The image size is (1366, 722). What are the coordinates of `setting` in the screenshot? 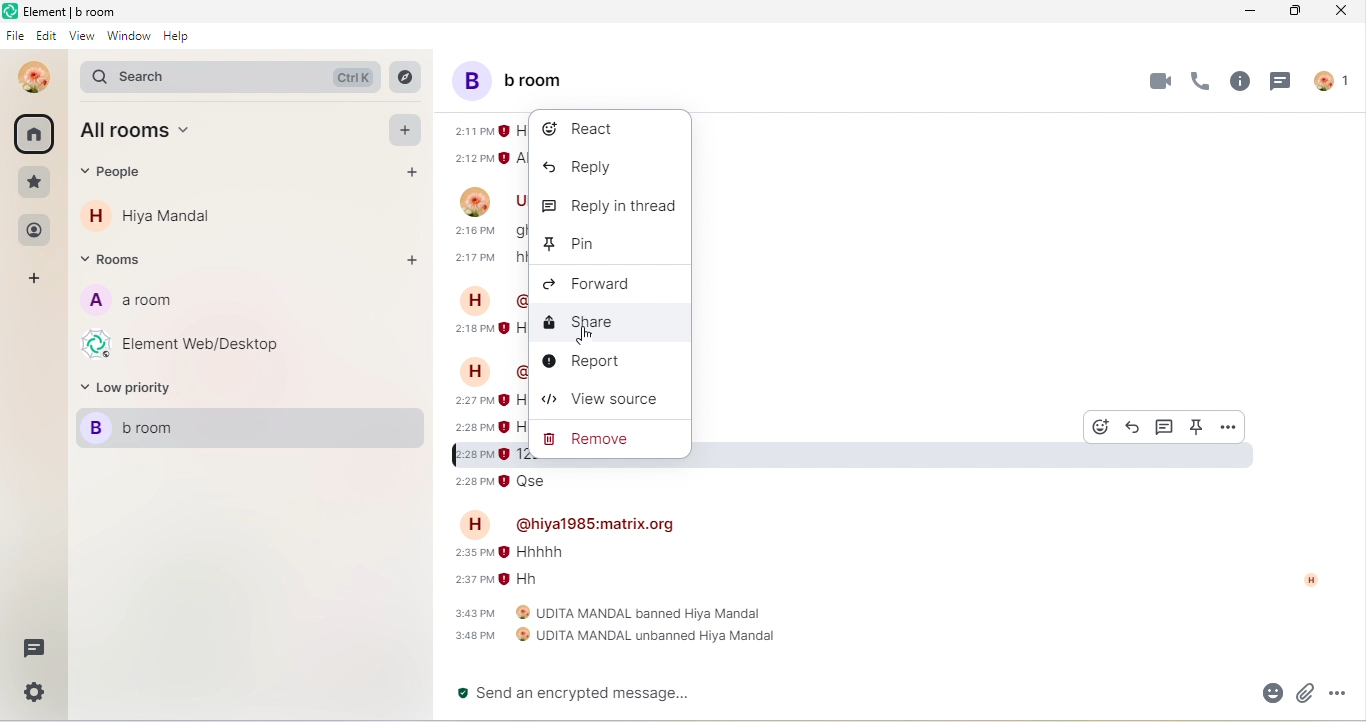 It's located at (31, 697).